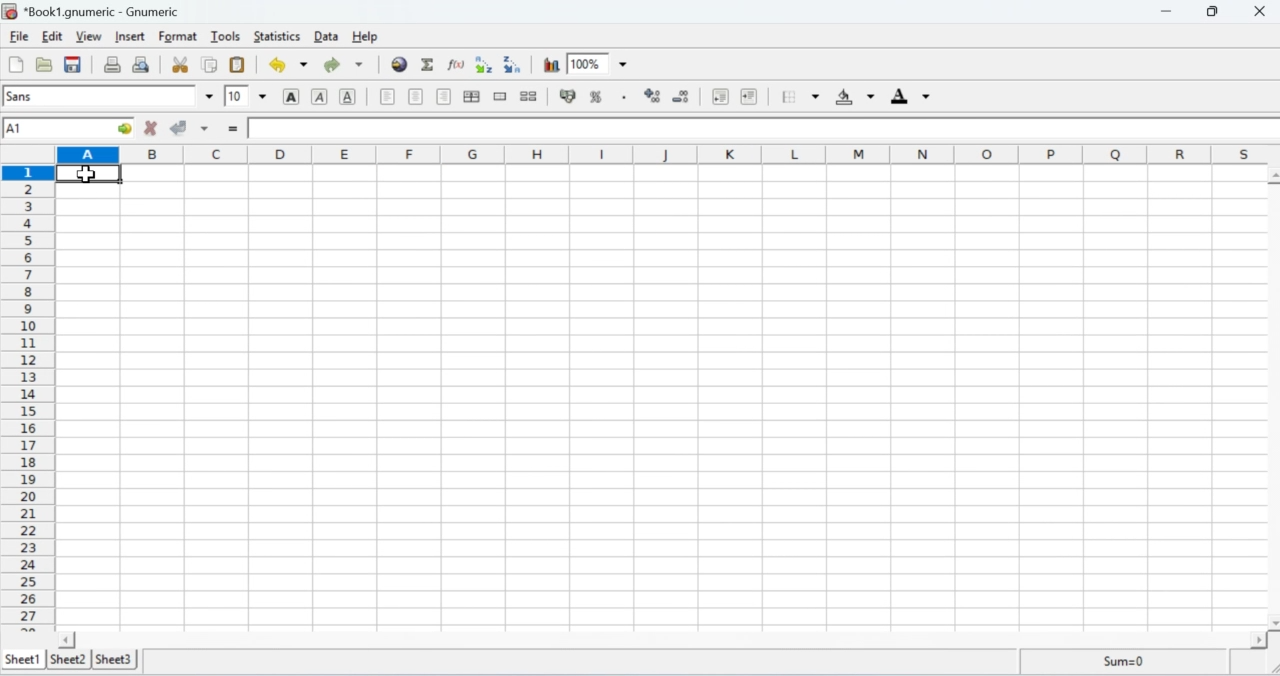  Describe the element at coordinates (246, 95) in the screenshot. I see `Font Size 10` at that location.